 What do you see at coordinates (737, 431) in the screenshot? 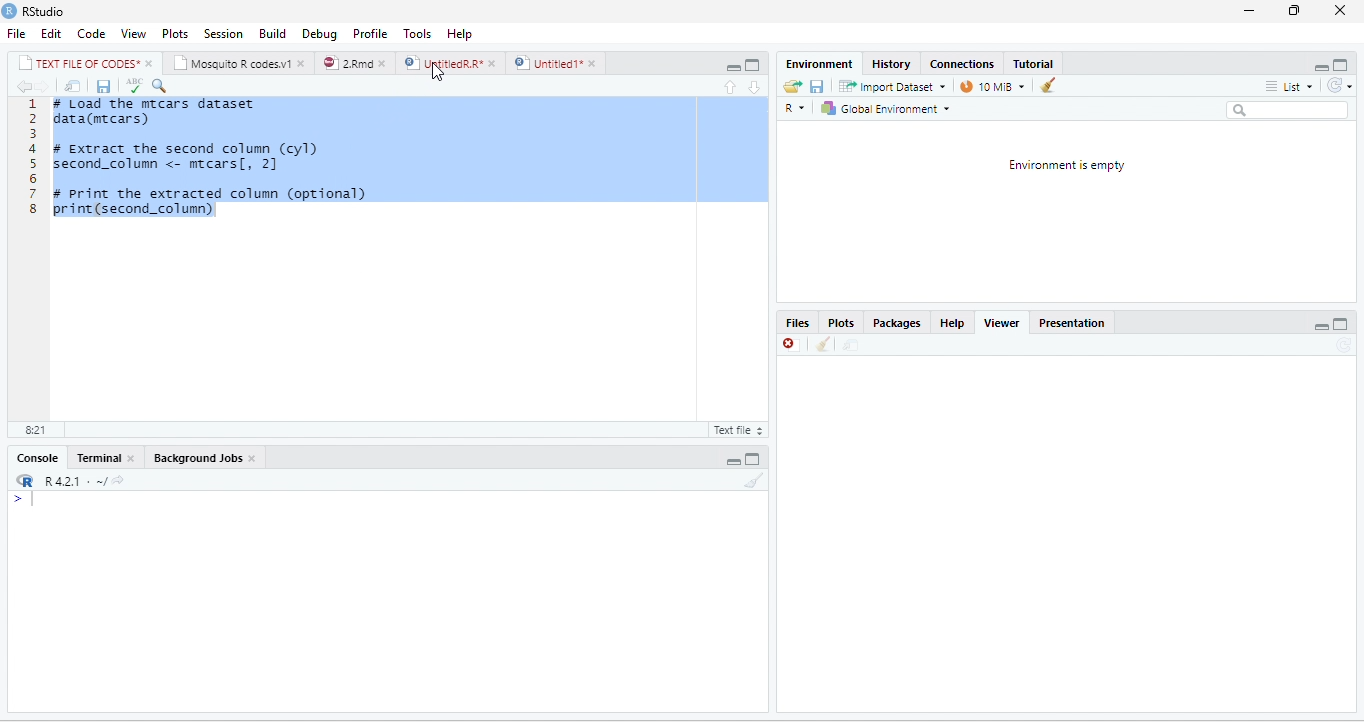
I see `text file` at bounding box center [737, 431].